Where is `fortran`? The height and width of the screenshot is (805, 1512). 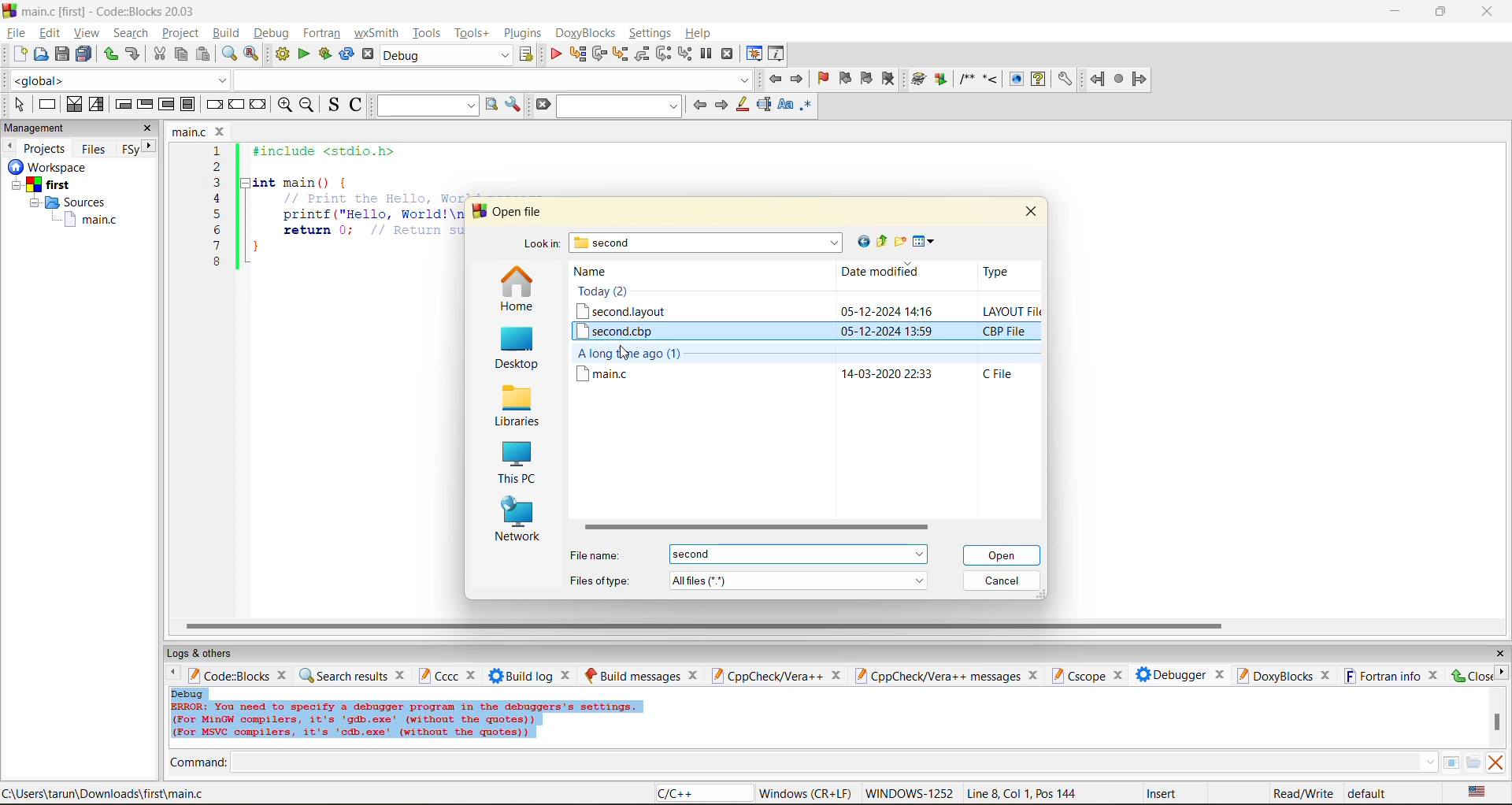
fortran is located at coordinates (322, 33).